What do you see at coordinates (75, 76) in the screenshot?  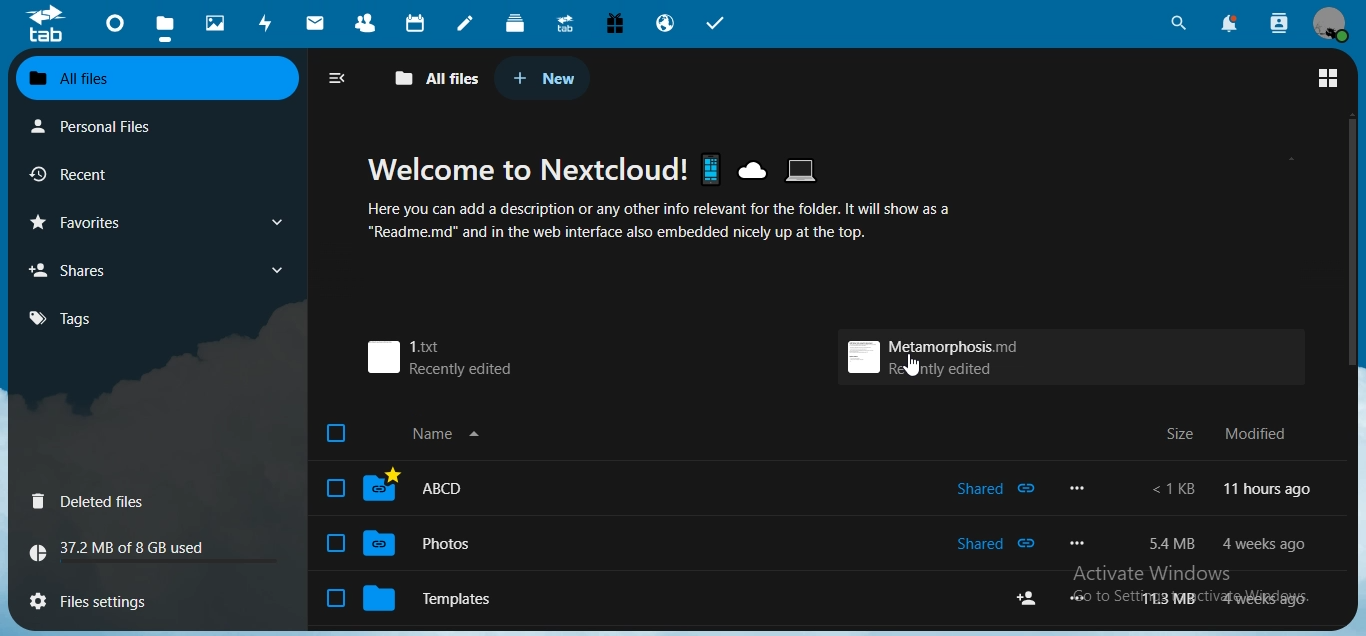 I see `all files` at bounding box center [75, 76].